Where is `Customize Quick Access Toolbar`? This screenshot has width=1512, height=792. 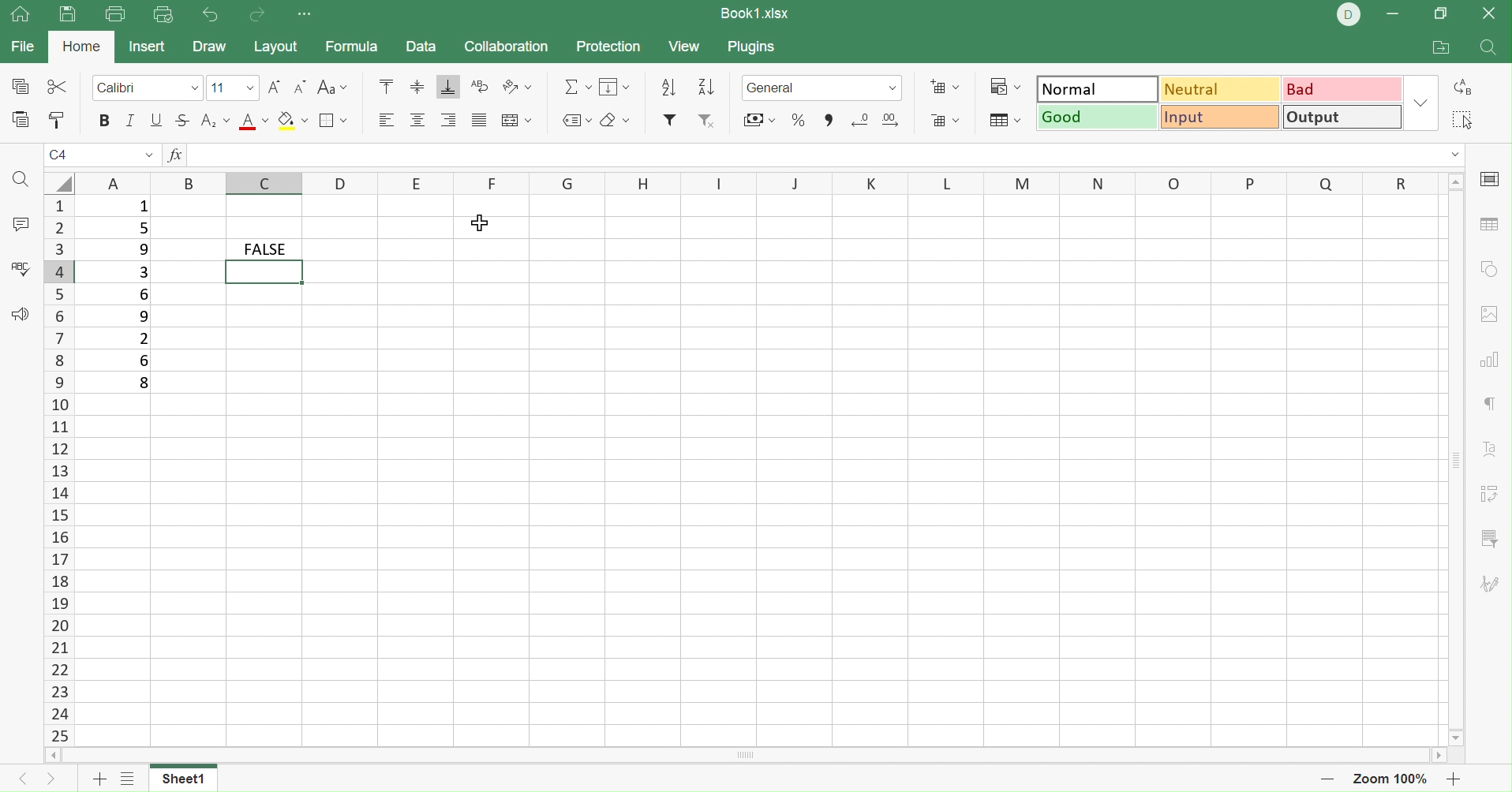
Customize Quick Access Toolbar is located at coordinates (306, 16).